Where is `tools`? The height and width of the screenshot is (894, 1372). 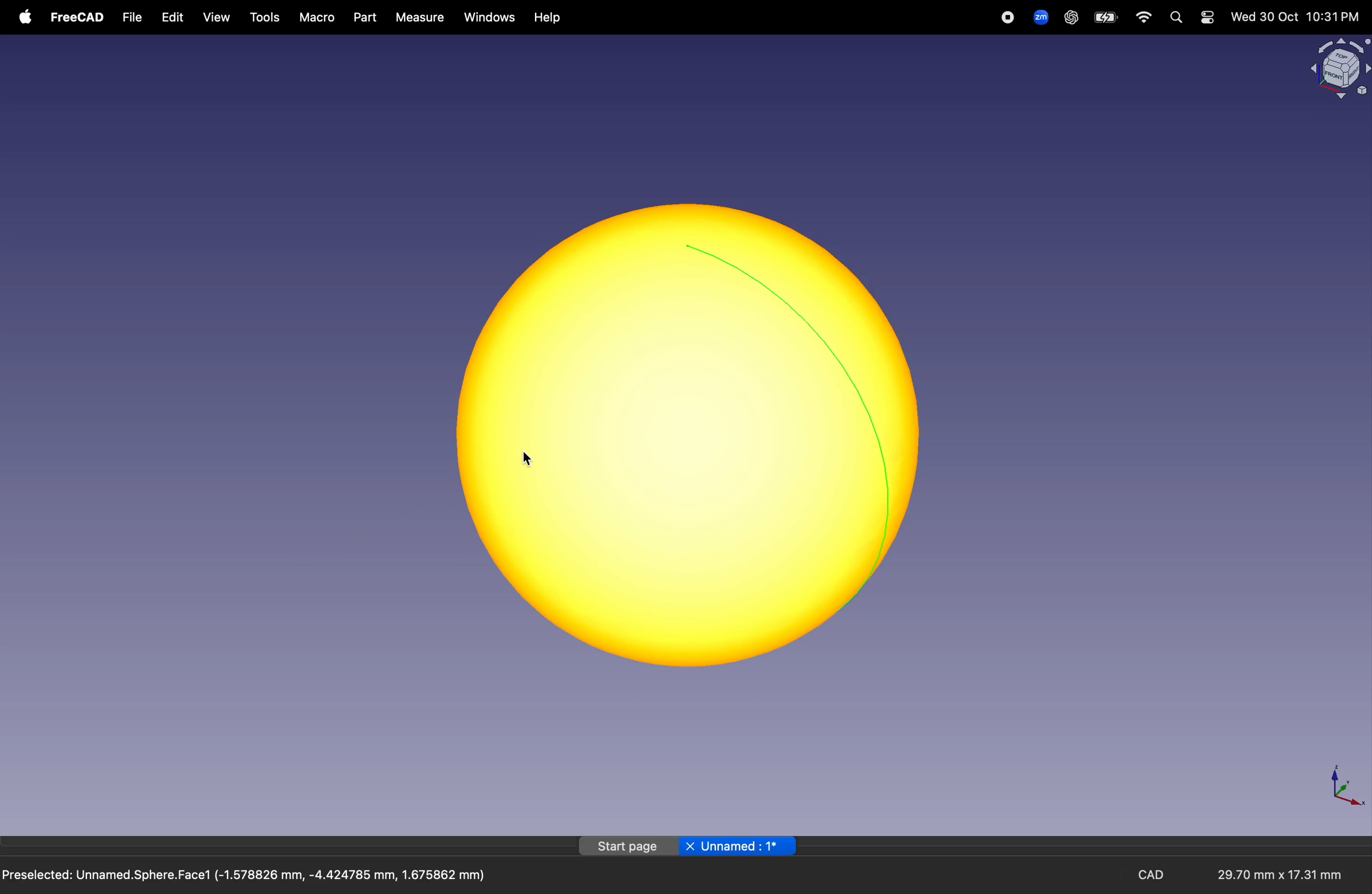 tools is located at coordinates (266, 18).